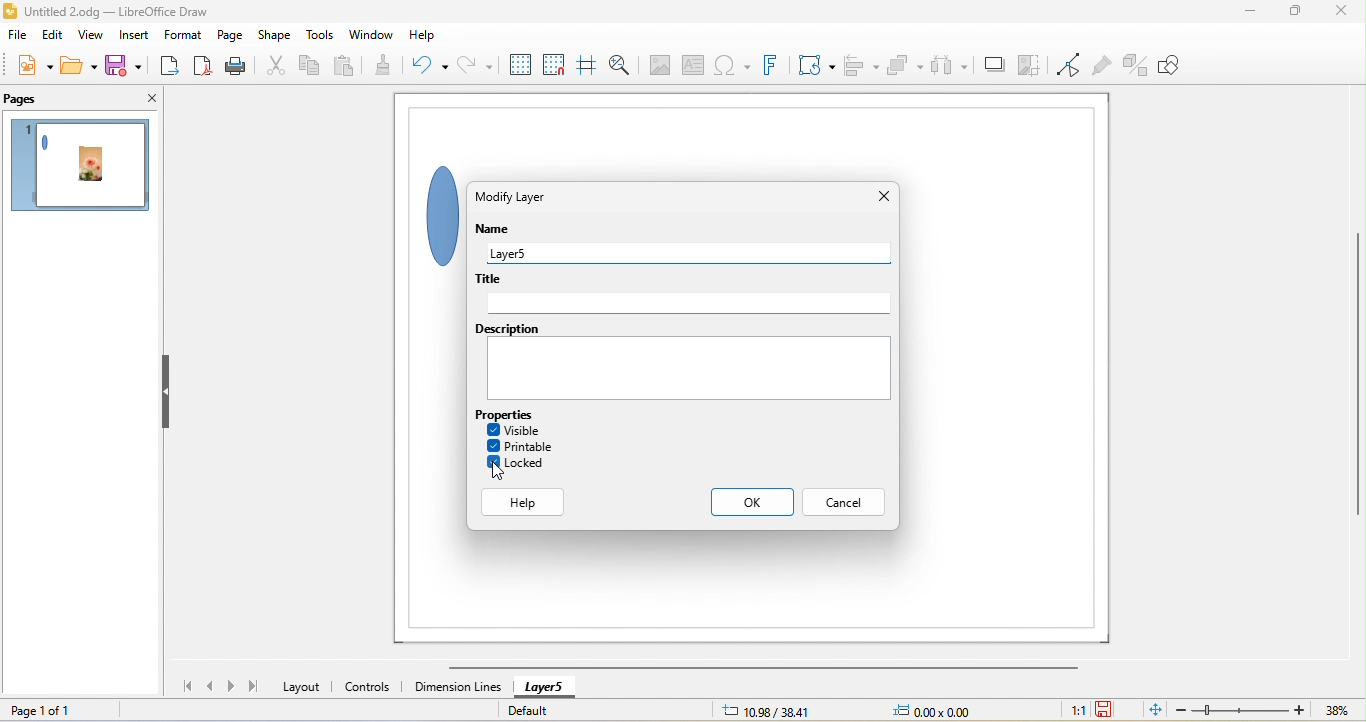  I want to click on click to save the document, so click(1106, 710).